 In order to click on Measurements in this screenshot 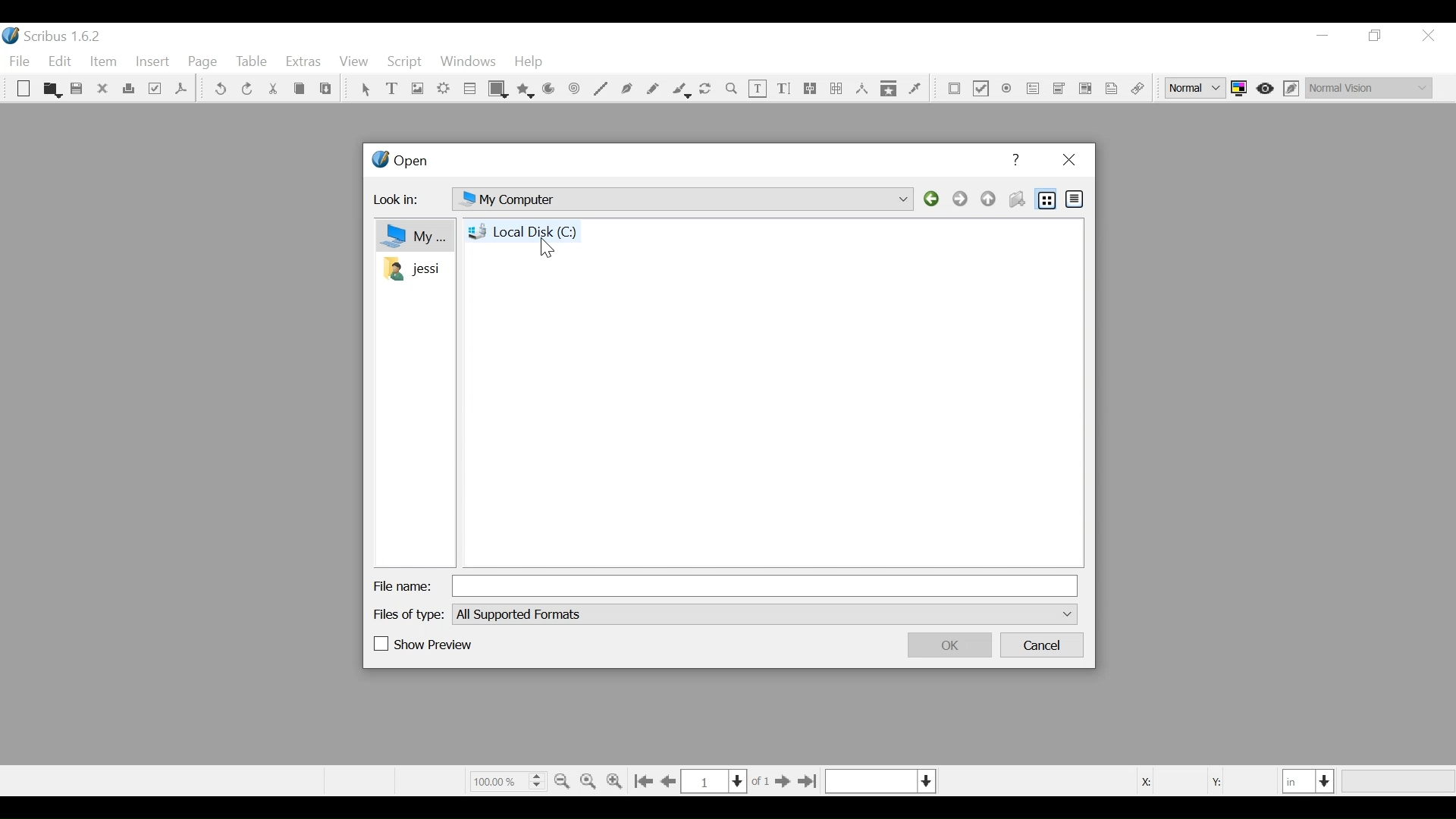, I will do `click(861, 89)`.